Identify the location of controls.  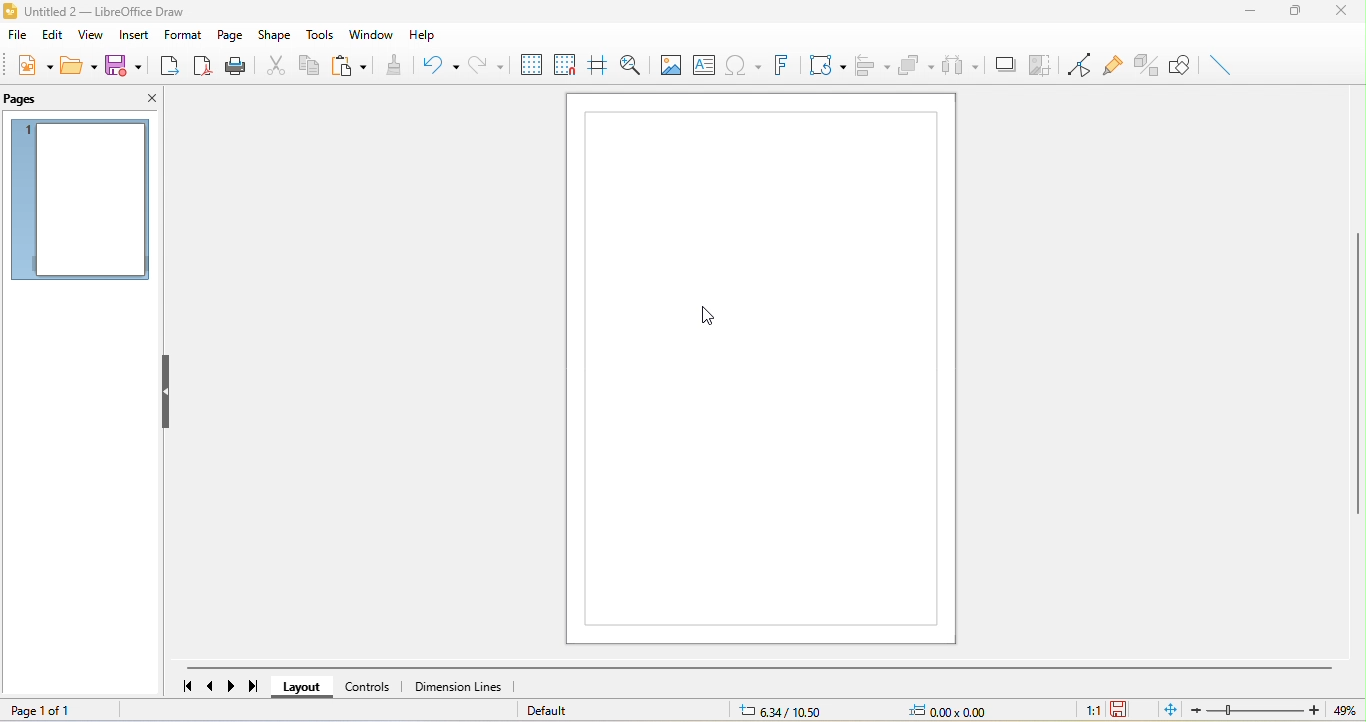
(403, 688).